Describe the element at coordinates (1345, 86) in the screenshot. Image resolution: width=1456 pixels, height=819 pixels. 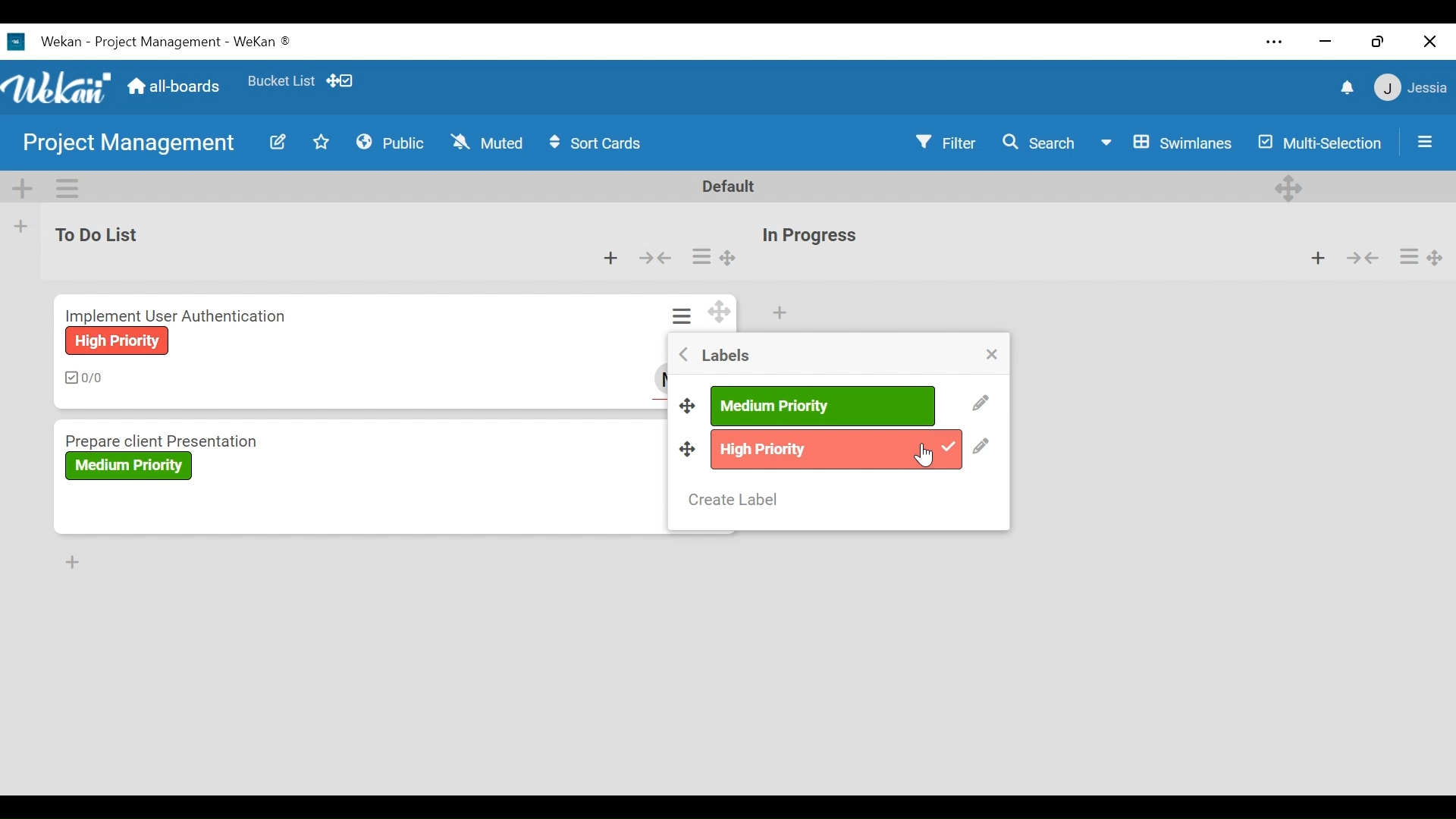
I see `notifications` at that location.